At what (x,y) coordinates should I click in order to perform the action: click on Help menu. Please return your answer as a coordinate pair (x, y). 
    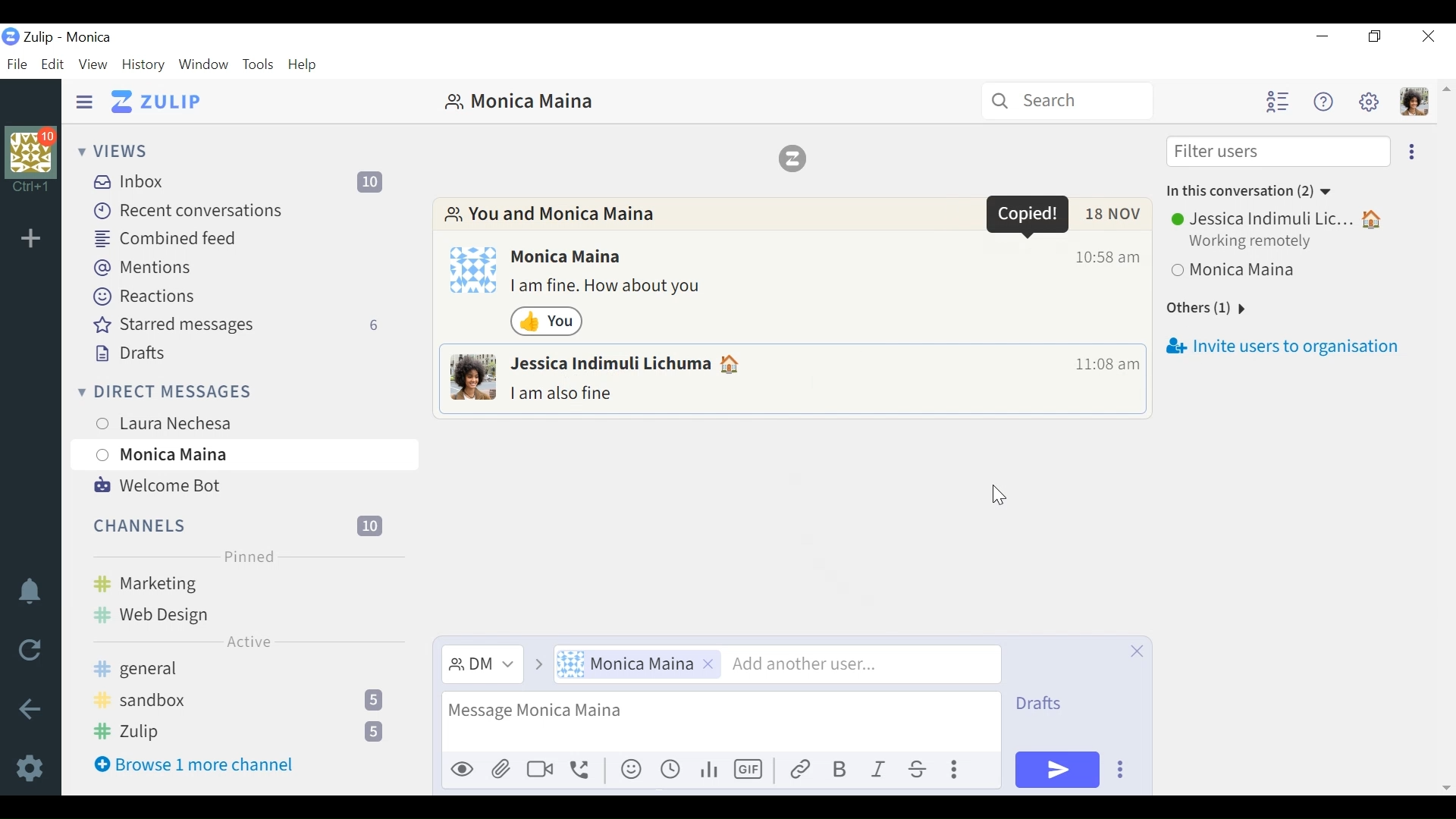
    Looking at the image, I should click on (1323, 103).